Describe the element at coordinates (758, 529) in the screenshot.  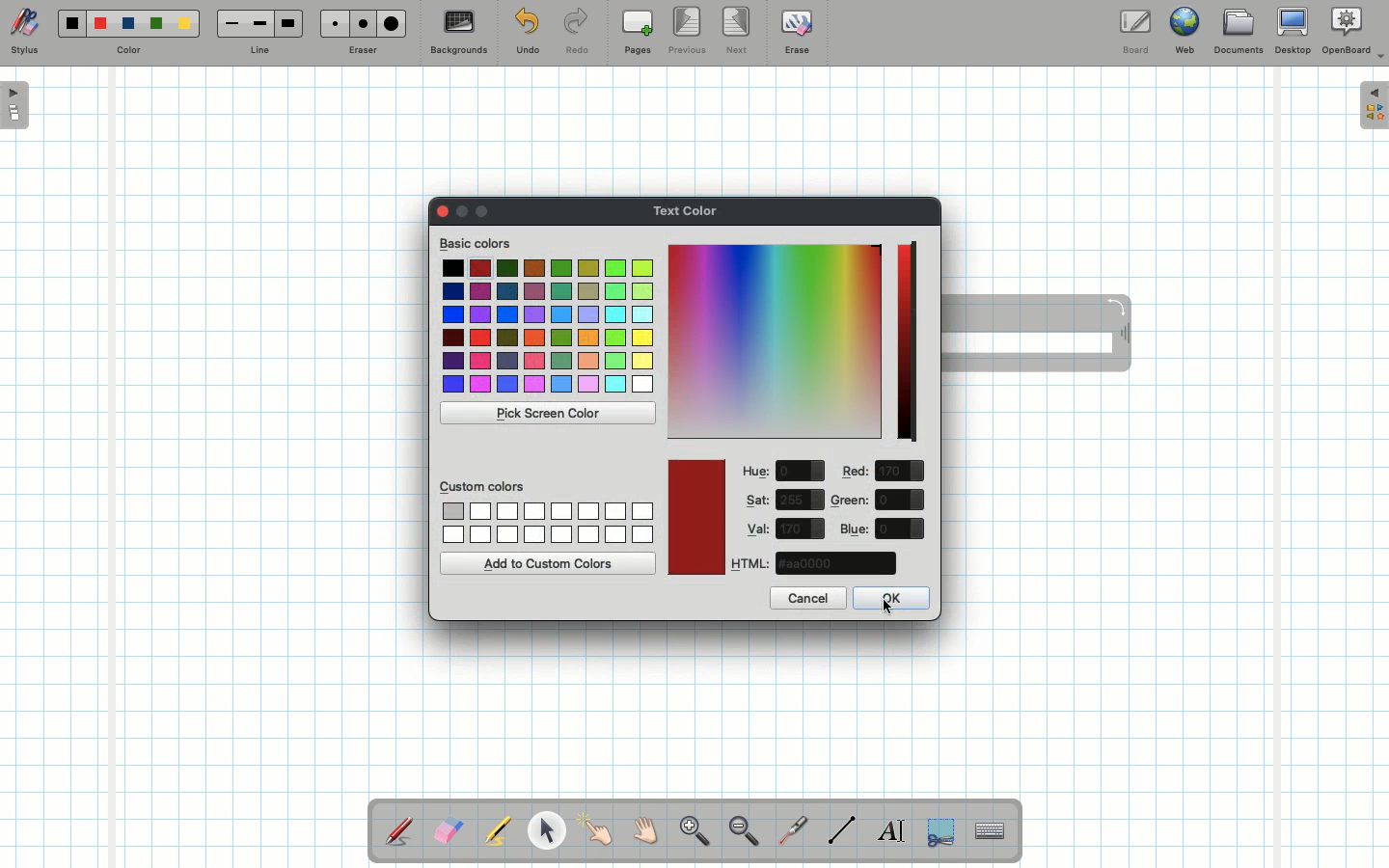
I see `Val` at that location.